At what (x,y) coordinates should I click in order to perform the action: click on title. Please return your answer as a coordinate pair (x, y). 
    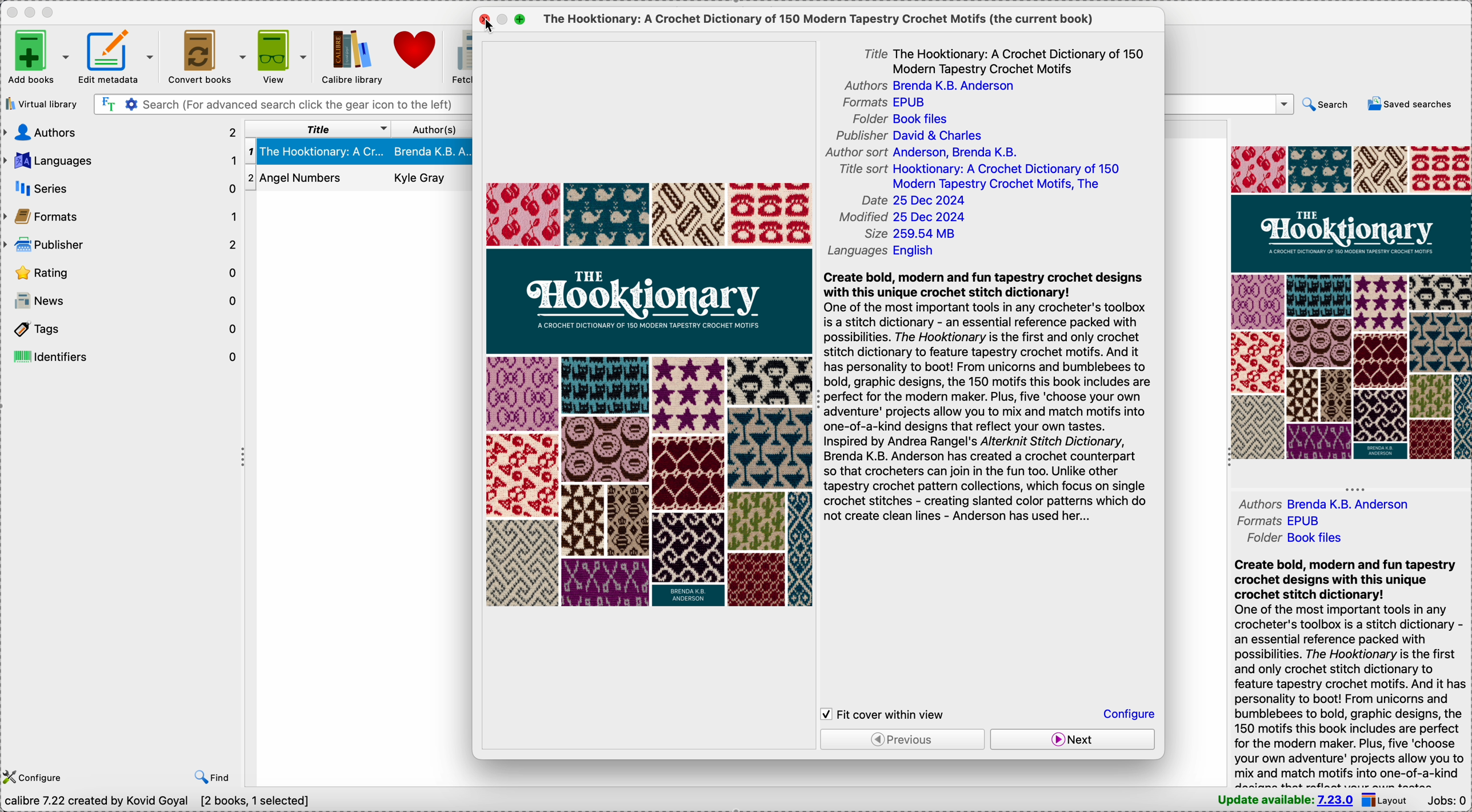
    Looking at the image, I should click on (315, 127).